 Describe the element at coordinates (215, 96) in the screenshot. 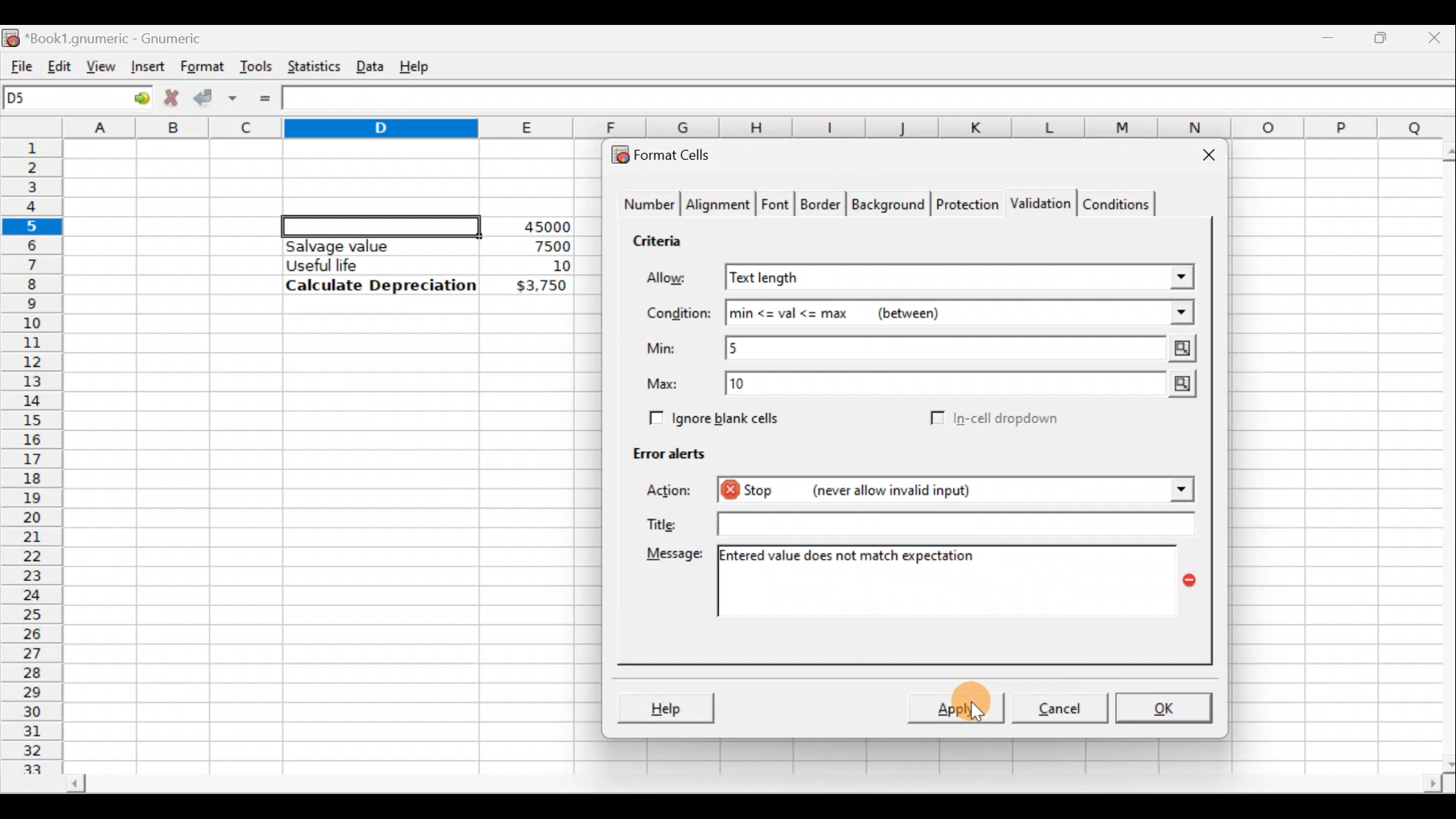

I see `Accept change` at that location.